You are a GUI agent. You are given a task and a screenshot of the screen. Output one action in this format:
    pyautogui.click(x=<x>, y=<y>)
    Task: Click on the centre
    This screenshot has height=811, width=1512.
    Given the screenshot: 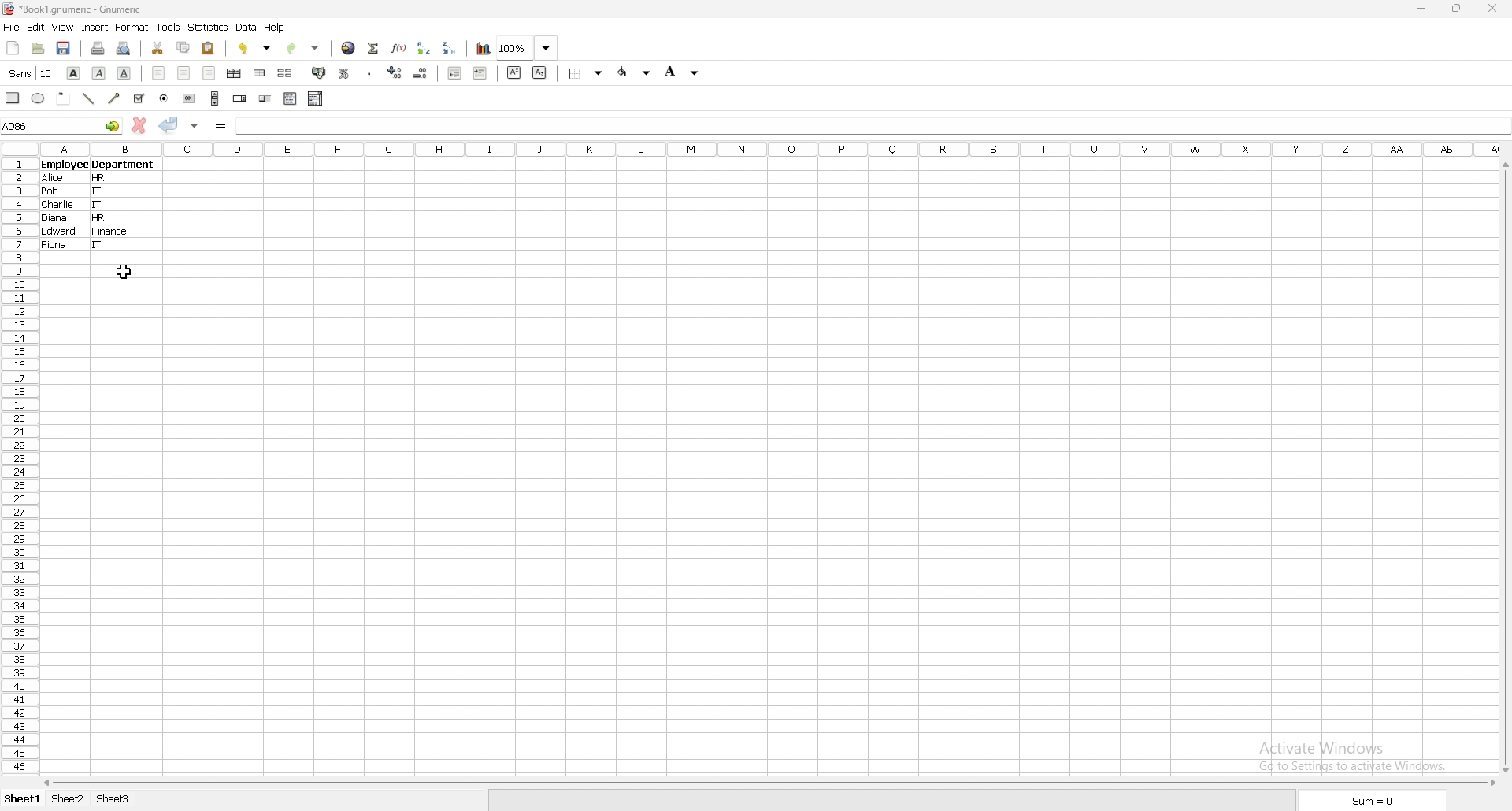 What is the action you would take?
    pyautogui.click(x=184, y=72)
    